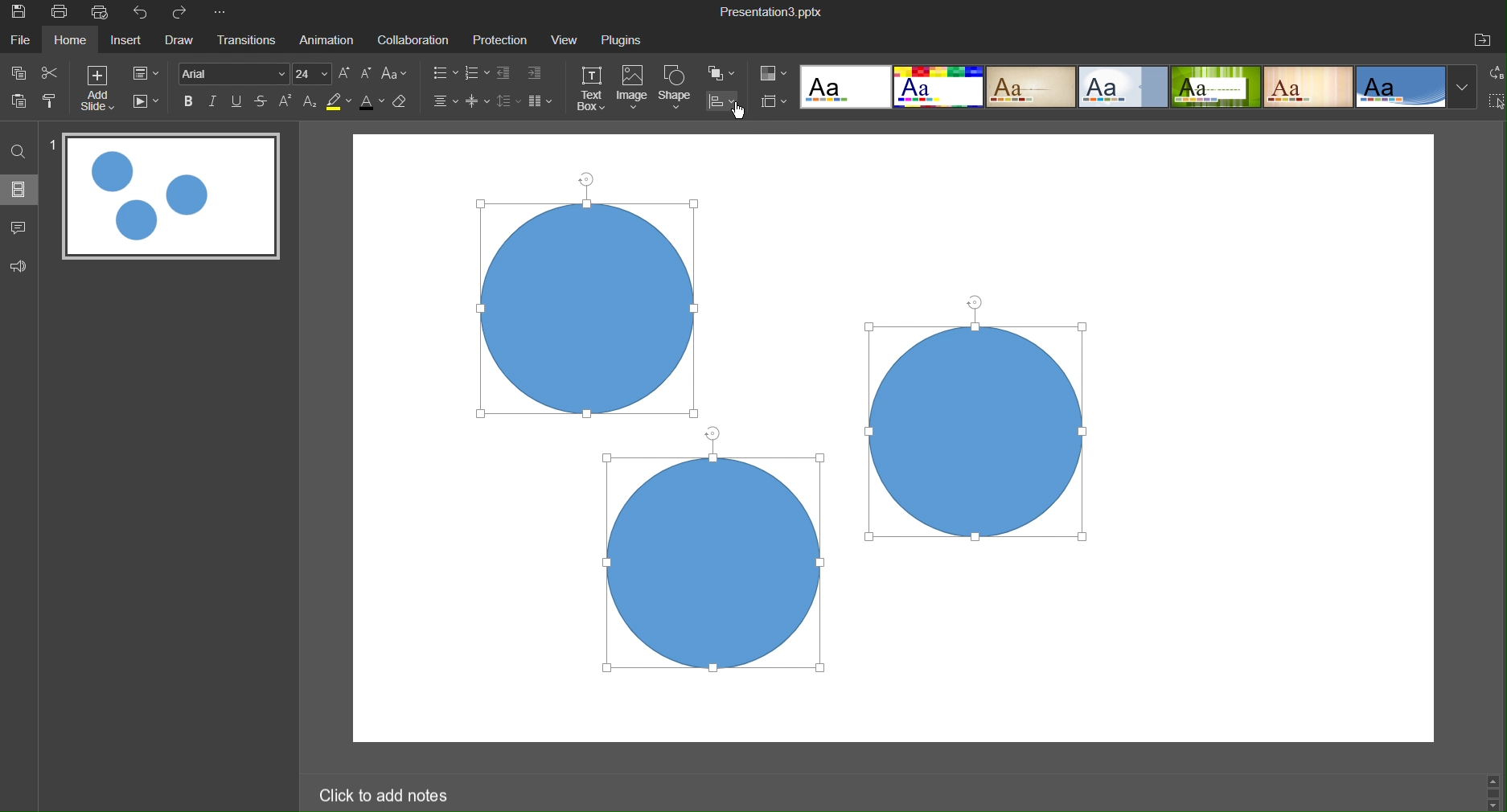  I want to click on Click to add notes, so click(387, 794).